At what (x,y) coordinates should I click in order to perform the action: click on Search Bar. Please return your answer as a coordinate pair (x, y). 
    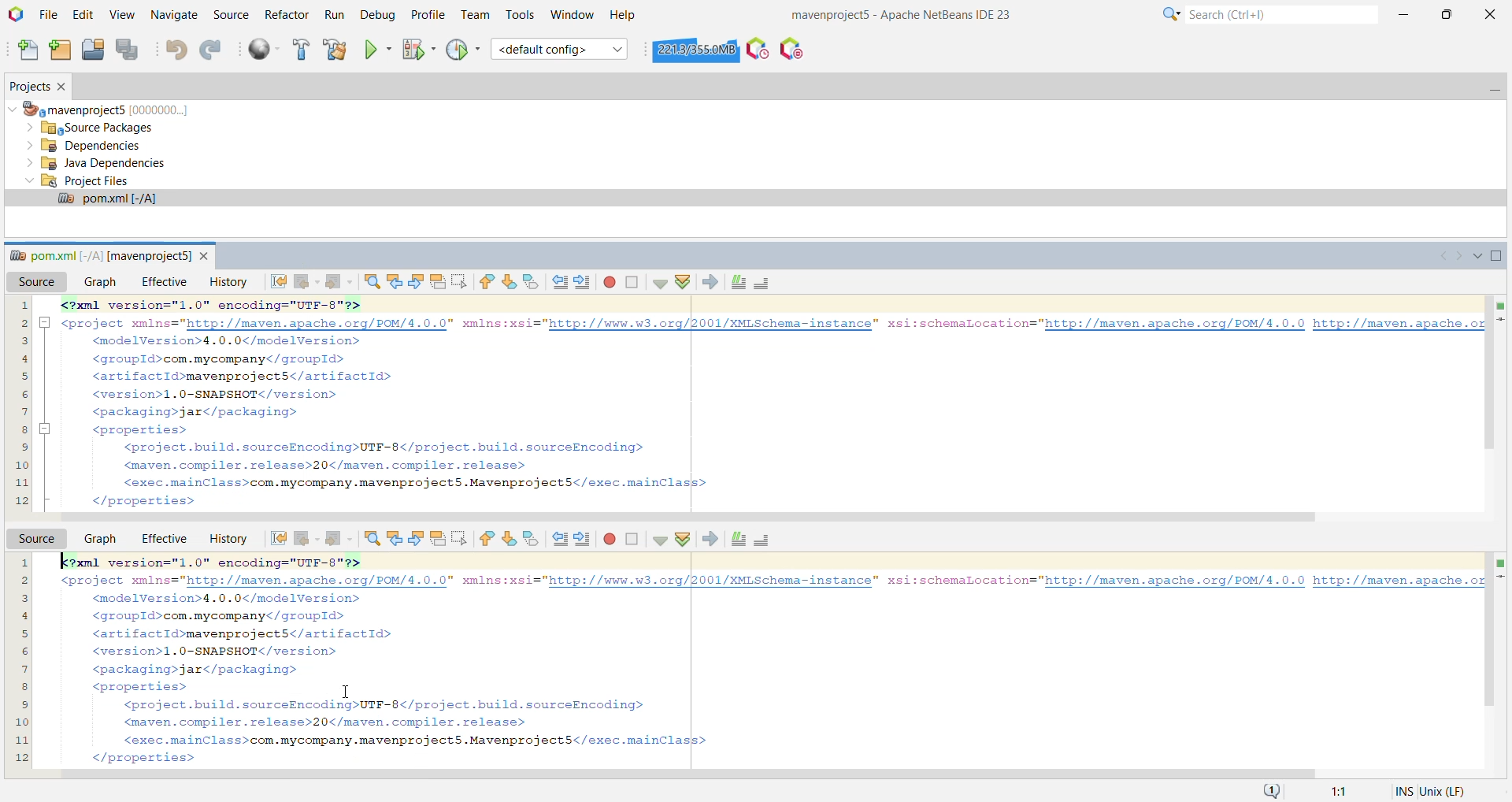
    Looking at the image, I should click on (1266, 13).